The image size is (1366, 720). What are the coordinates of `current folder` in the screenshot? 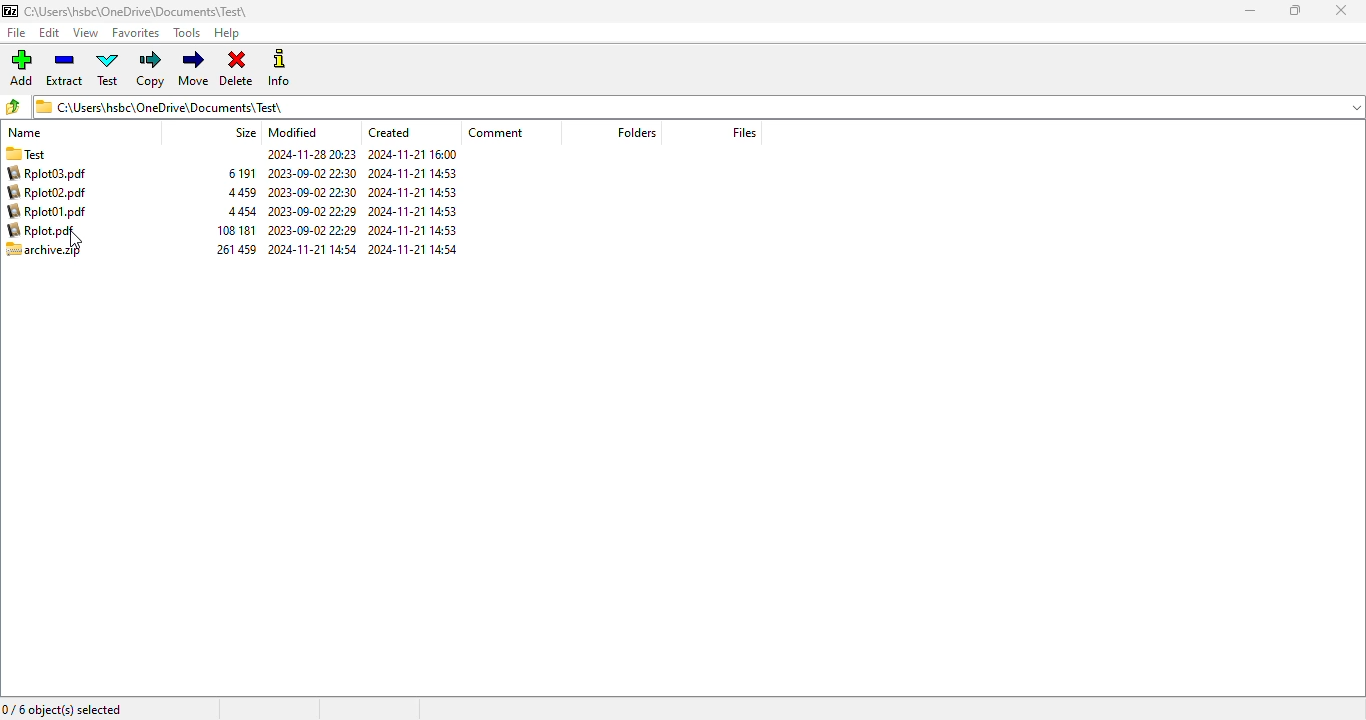 It's located at (685, 106).